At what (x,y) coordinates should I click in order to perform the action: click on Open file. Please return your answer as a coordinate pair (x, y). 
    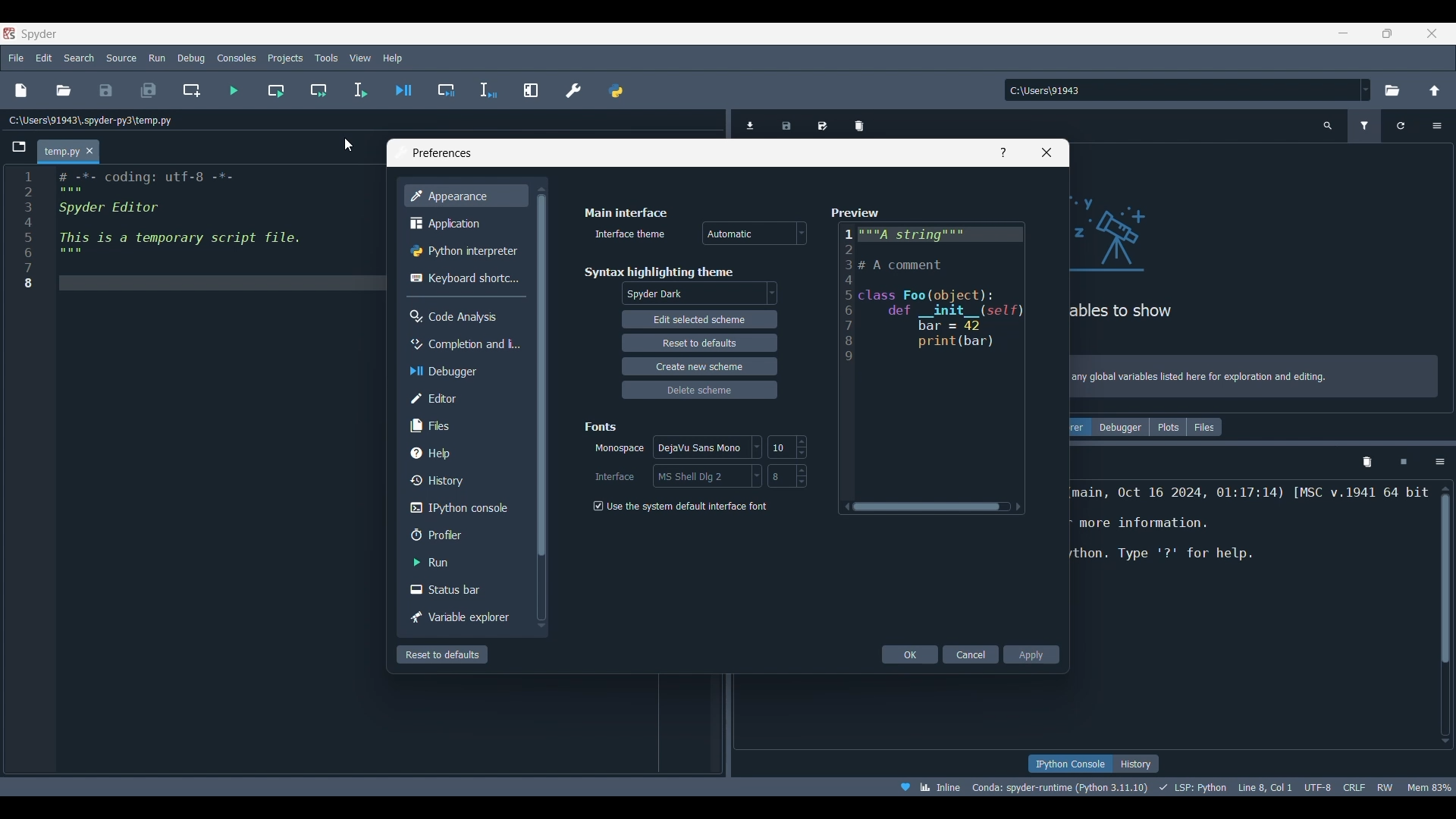
    Looking at the image, I should click on (64, 90).